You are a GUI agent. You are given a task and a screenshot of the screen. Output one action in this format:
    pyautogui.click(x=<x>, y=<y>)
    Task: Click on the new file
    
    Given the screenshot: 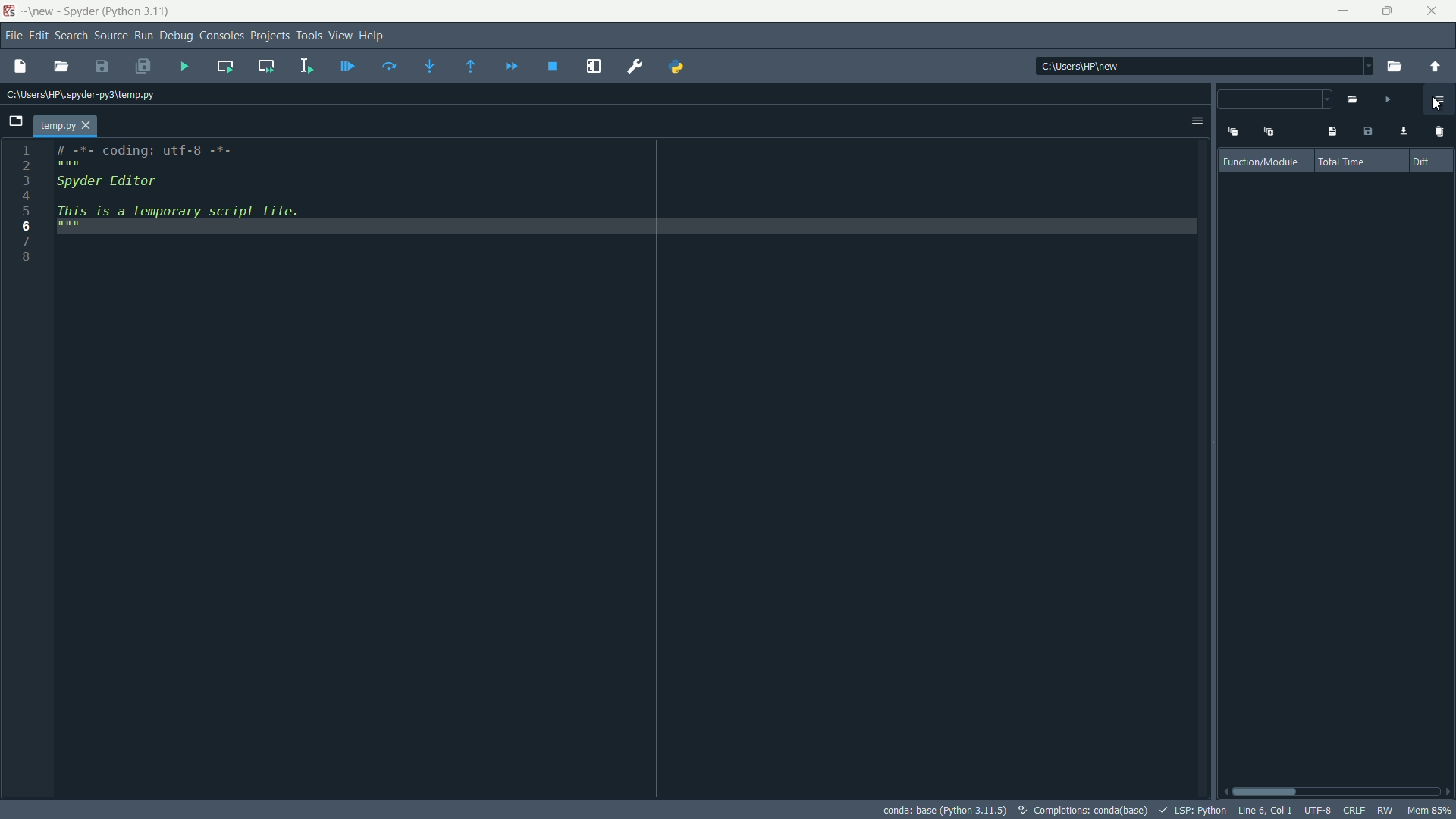 What is the action you would take?
    pyautogui.click(x=20, y=66)
    